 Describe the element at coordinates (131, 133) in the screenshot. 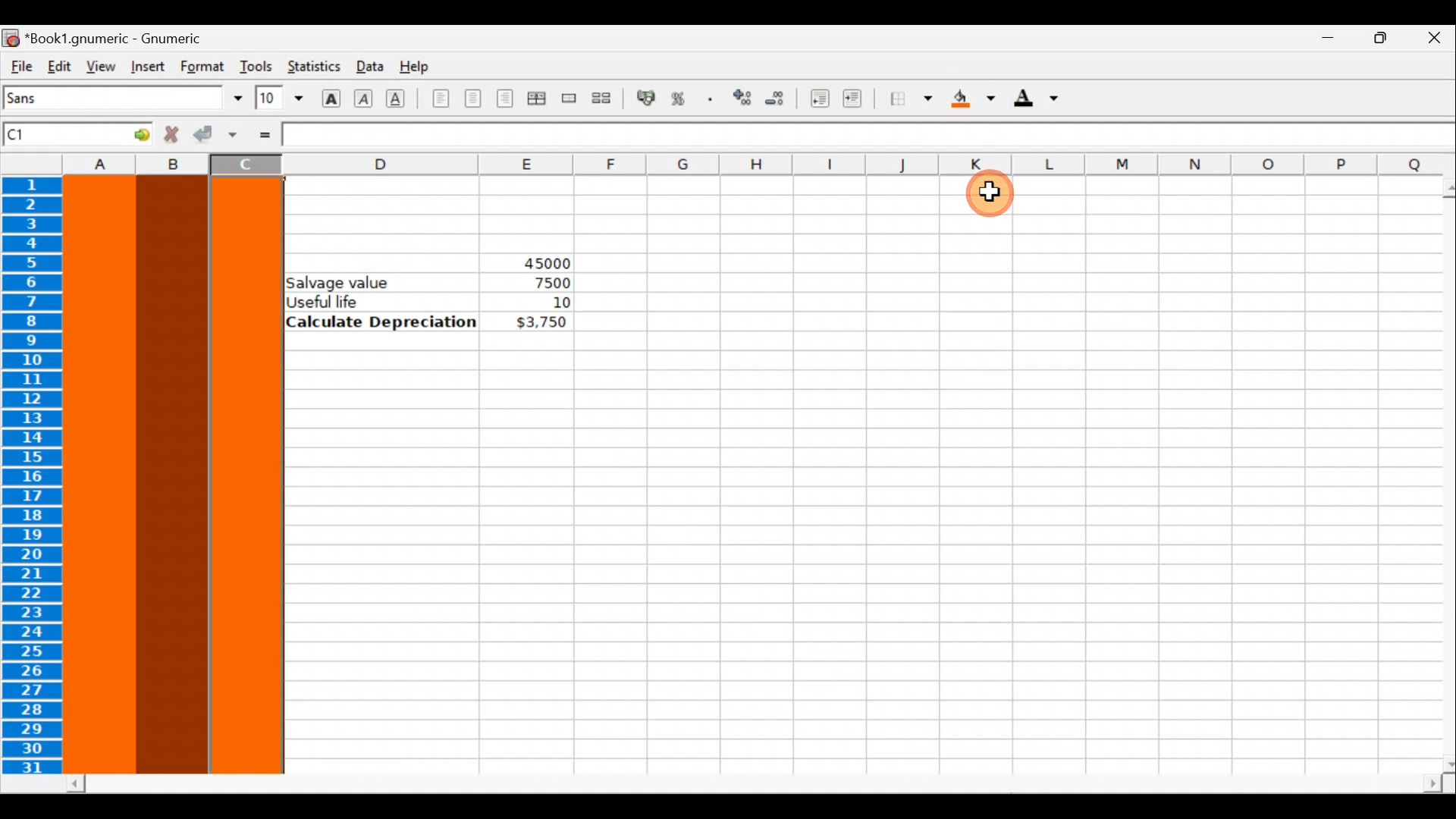

I see `Go to` at that location.